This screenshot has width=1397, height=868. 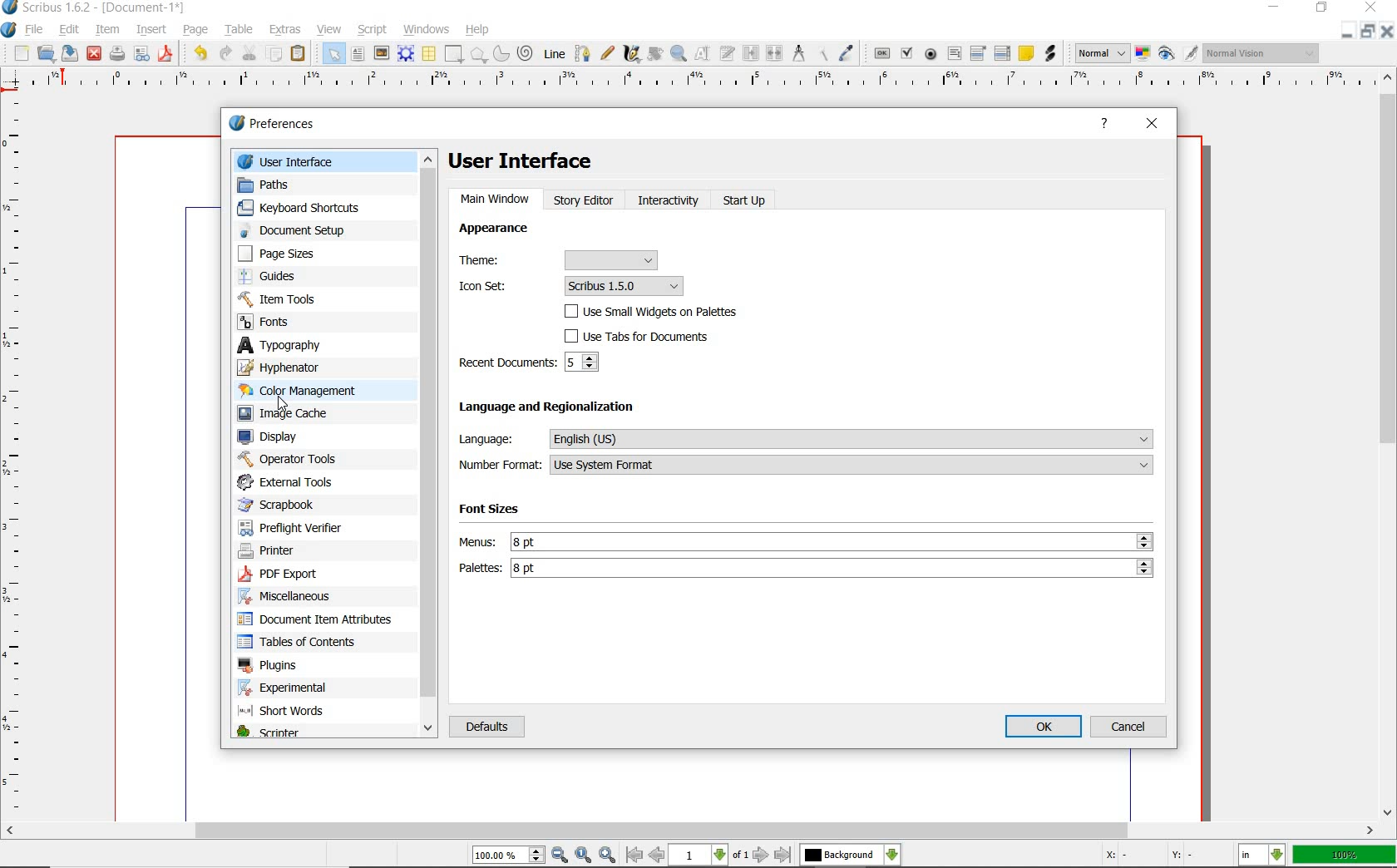 I want to click on paste, so click(x=301, y=55).